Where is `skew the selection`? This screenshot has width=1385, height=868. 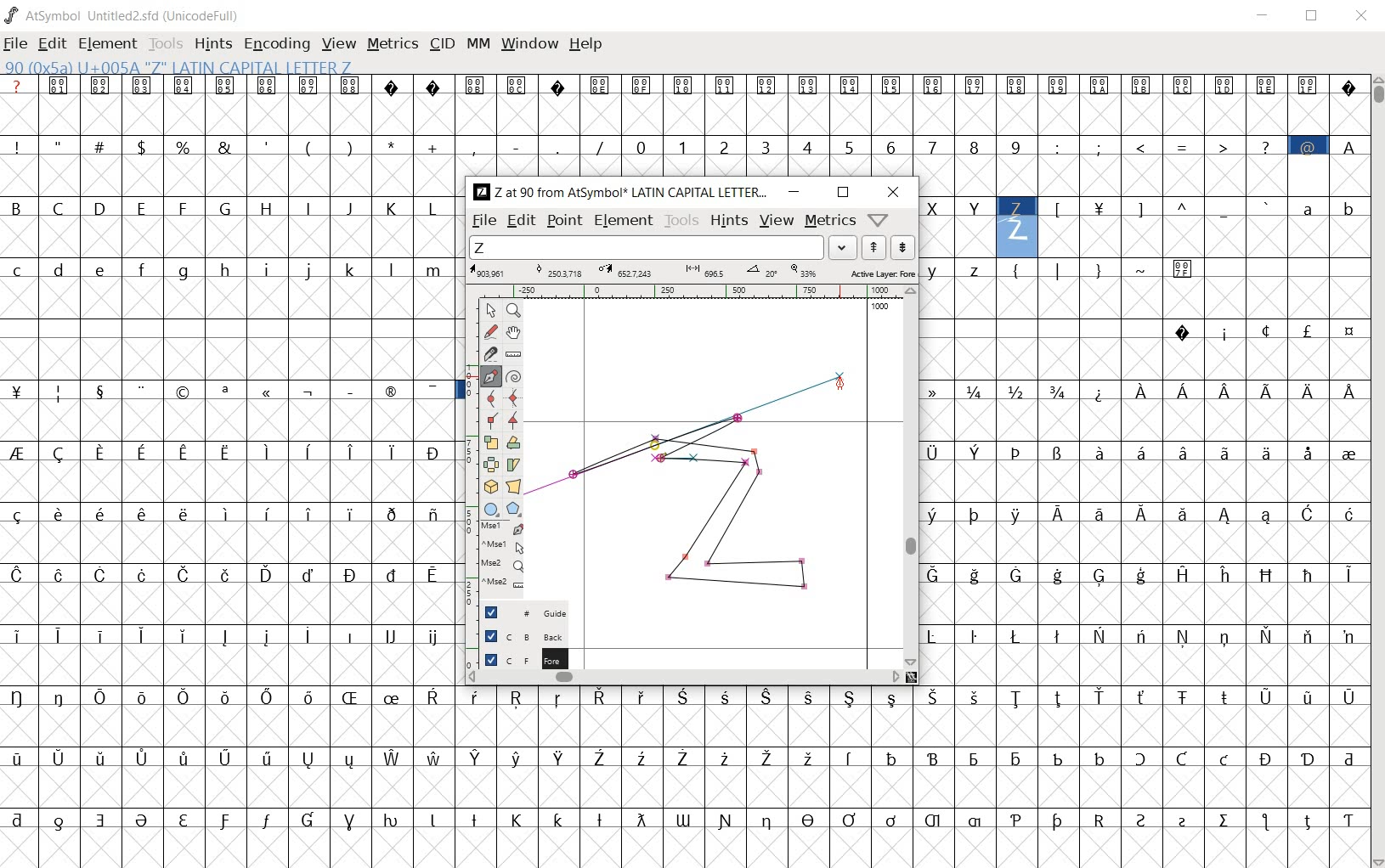
skew the selection is located at coordinates (513, 464).